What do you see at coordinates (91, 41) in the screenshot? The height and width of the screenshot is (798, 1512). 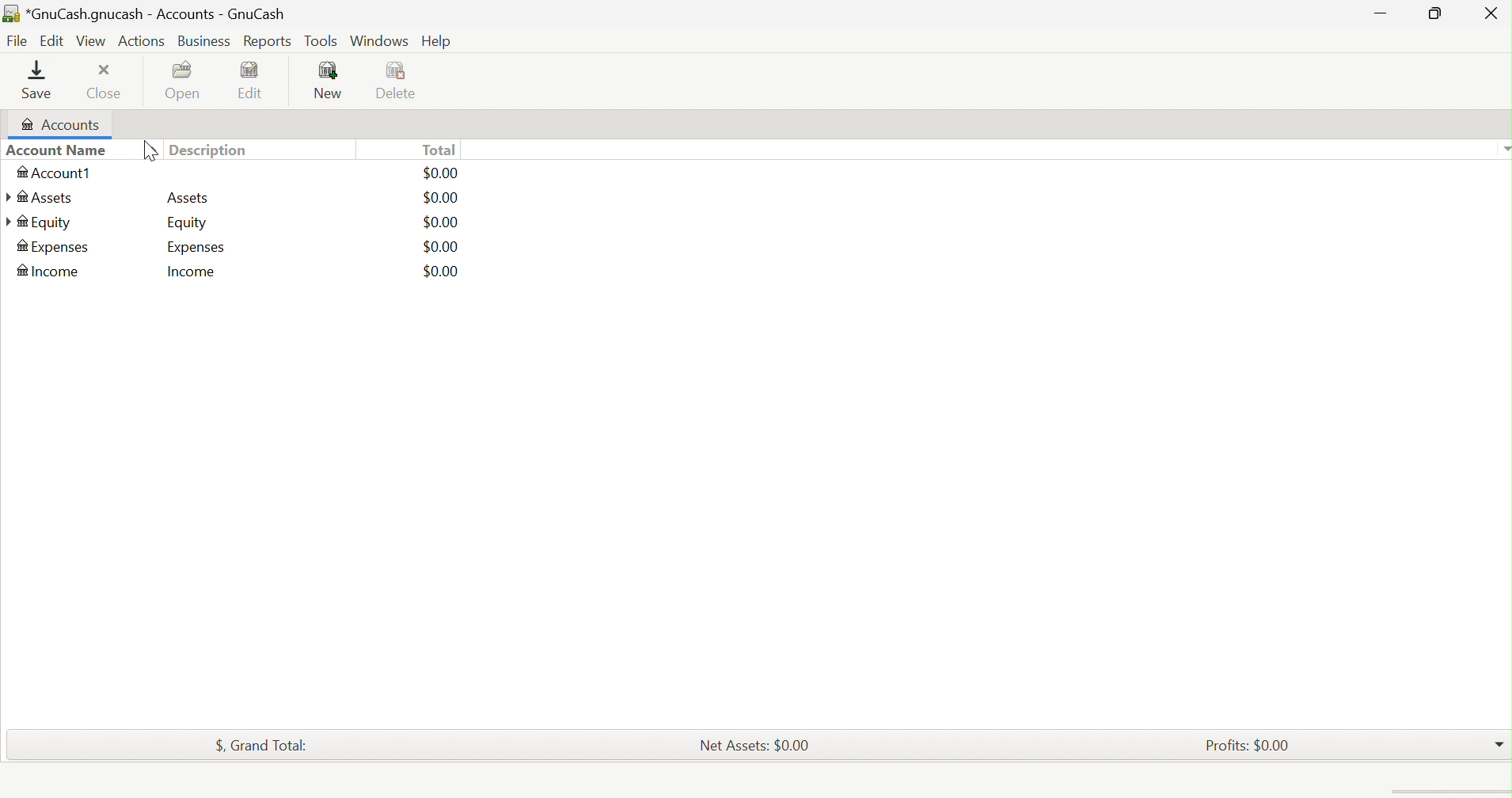 I see `View` at bounding box center [91, 41].